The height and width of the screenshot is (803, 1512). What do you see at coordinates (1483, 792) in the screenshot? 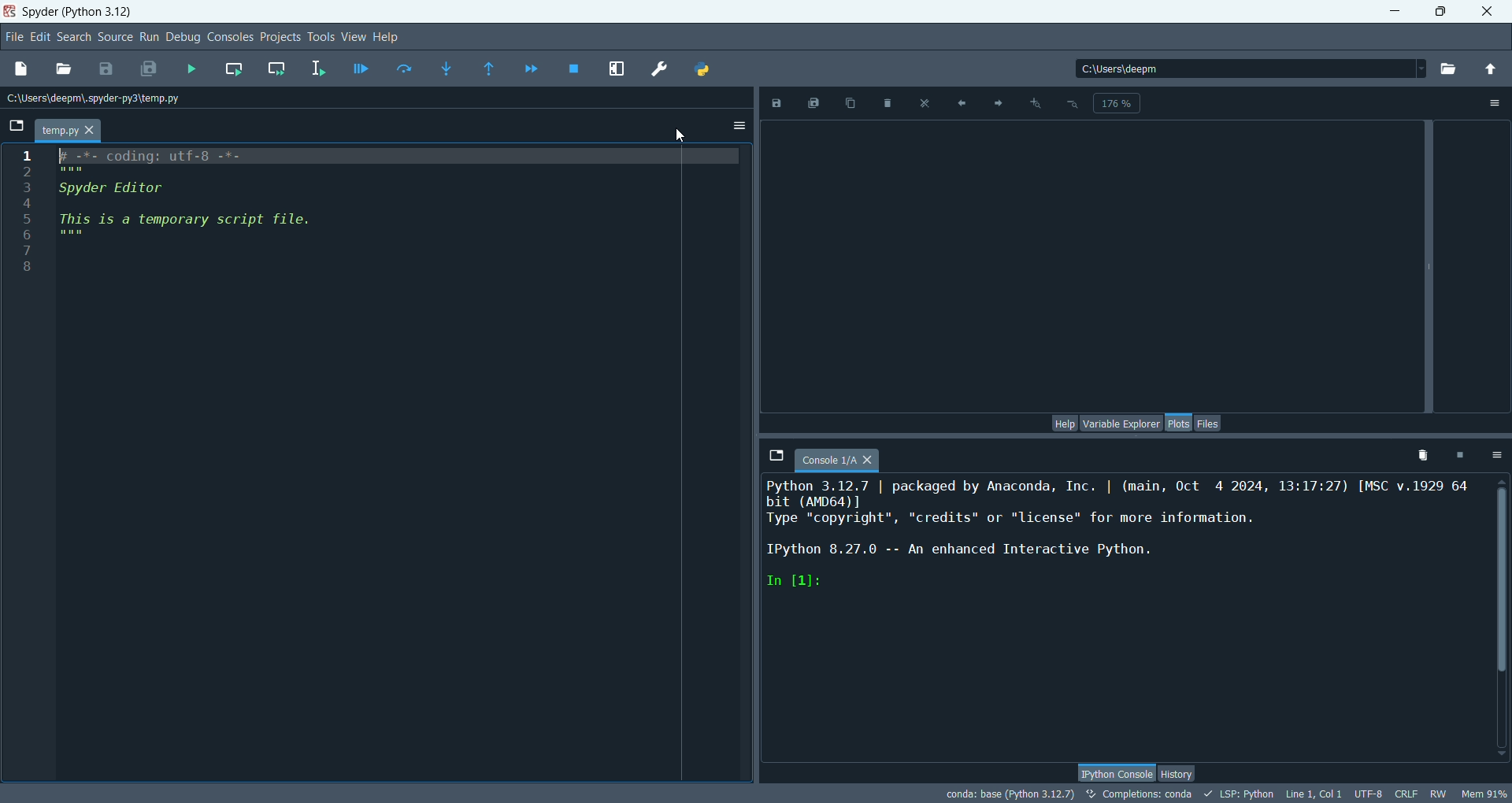
I see `Mem` at bounding box center [1483, 792].